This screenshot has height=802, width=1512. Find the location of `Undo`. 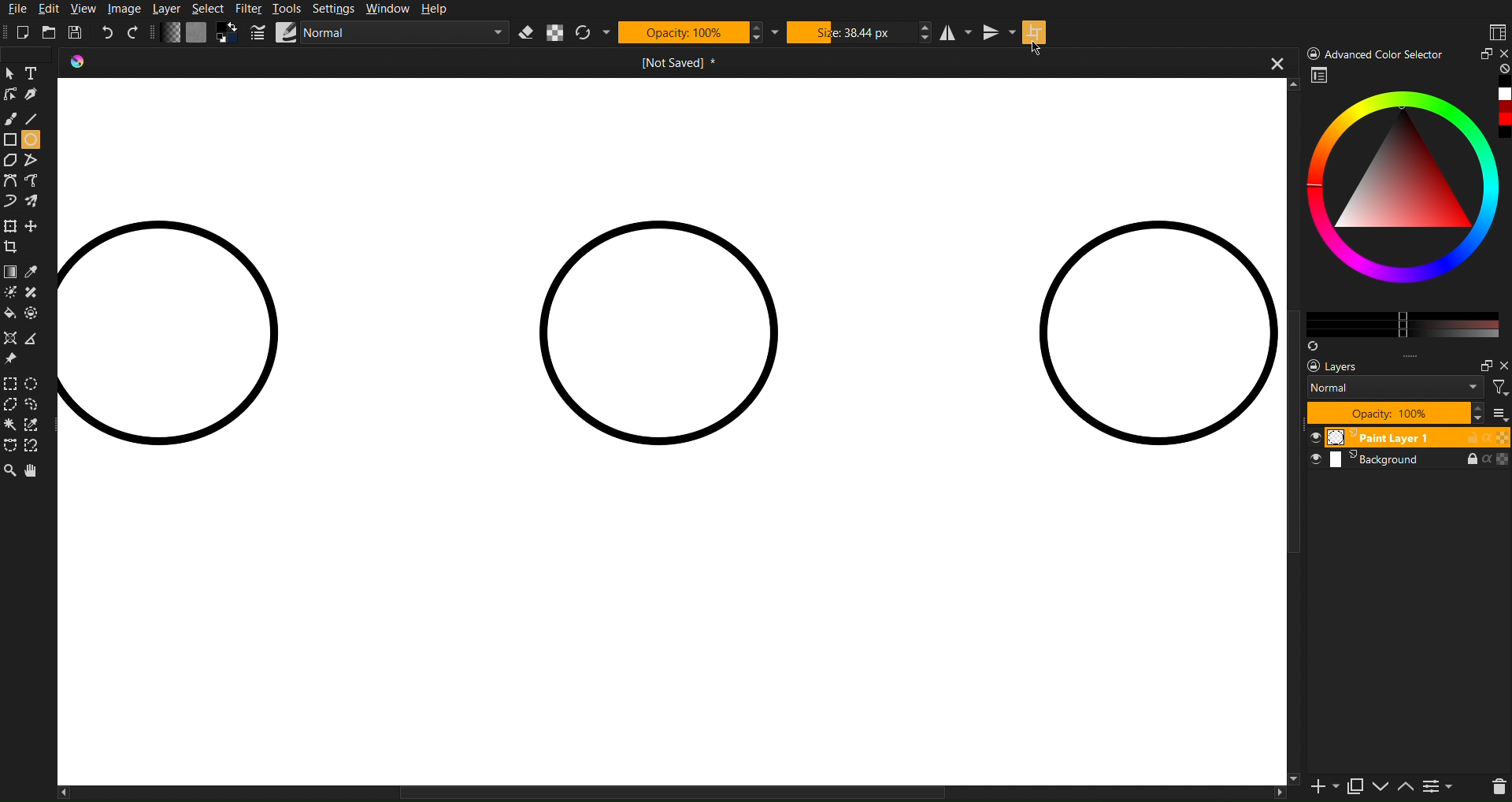

Undo is located at coordinates (108, 33).